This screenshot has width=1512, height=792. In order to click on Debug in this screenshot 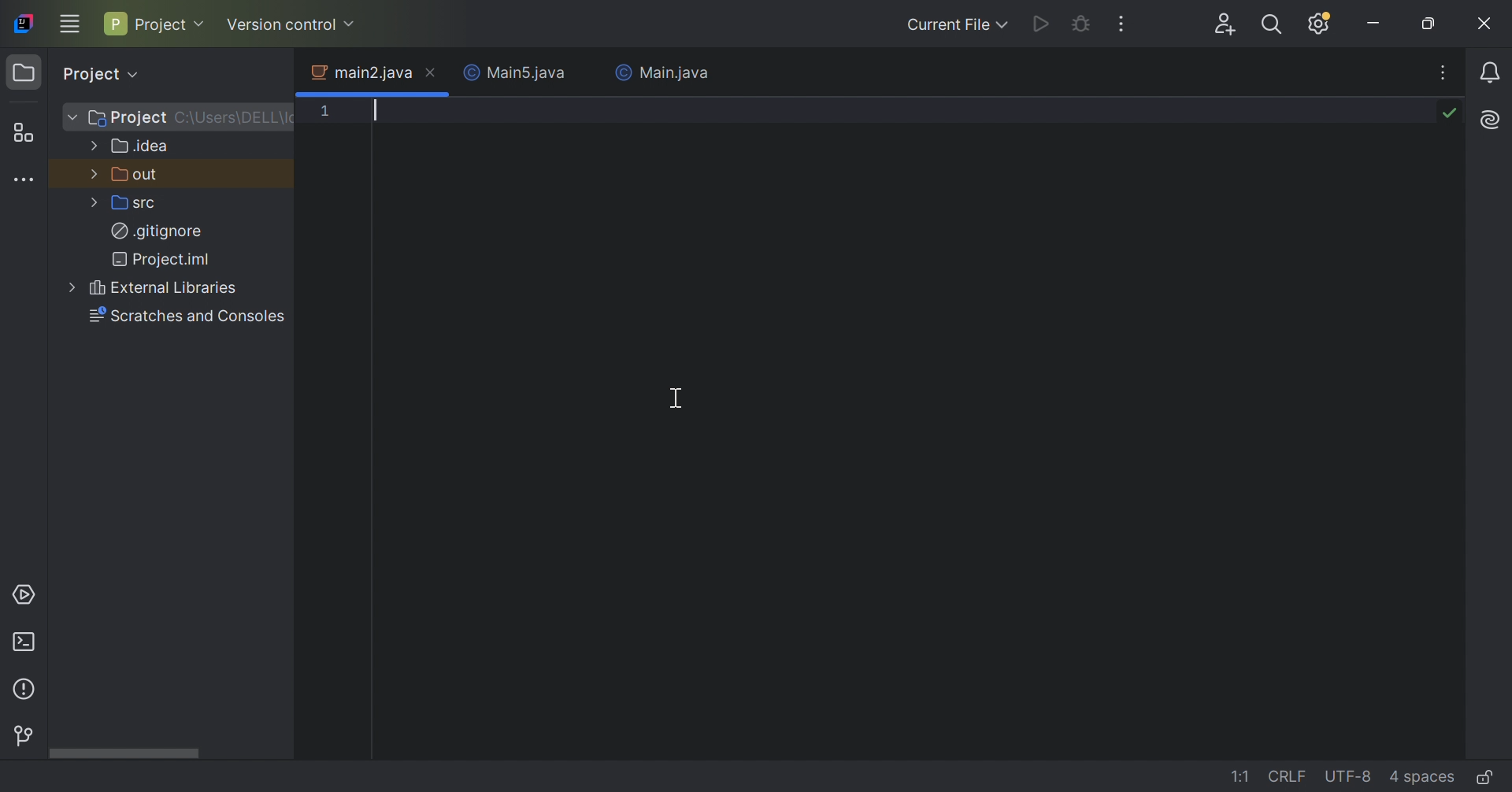, I will do `click(1080, 24)`.